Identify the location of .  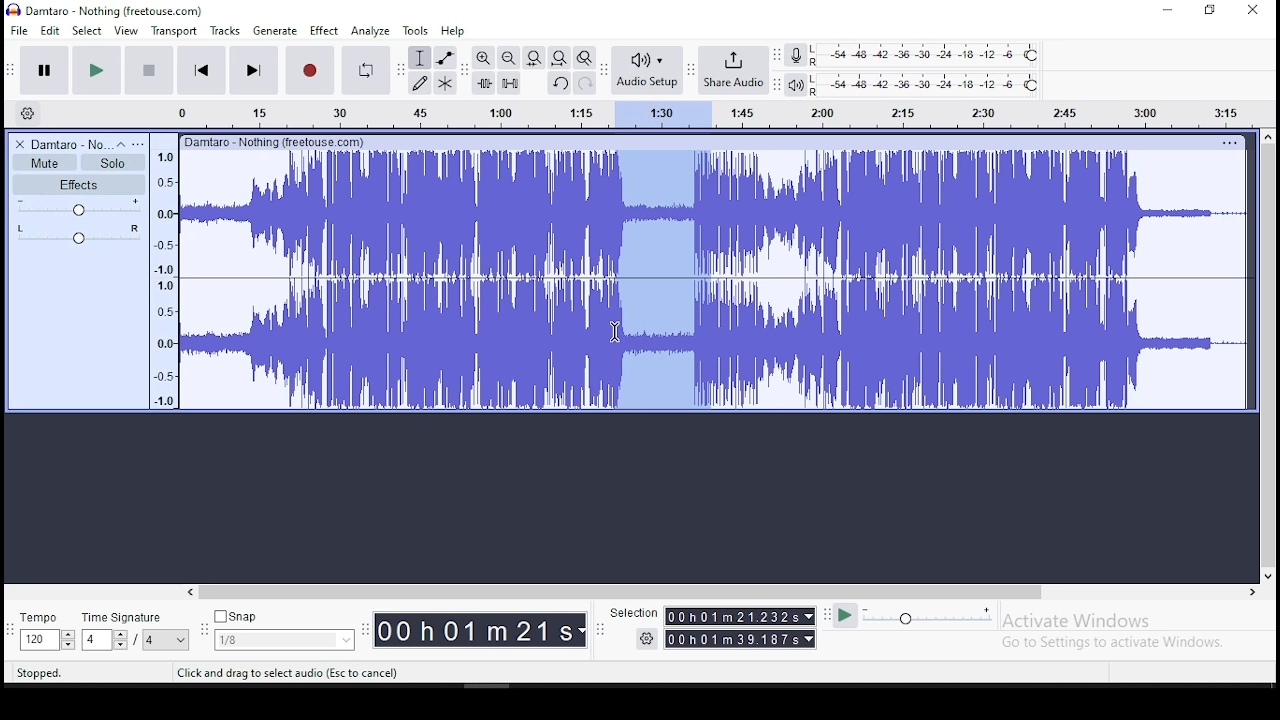
(165, 279).